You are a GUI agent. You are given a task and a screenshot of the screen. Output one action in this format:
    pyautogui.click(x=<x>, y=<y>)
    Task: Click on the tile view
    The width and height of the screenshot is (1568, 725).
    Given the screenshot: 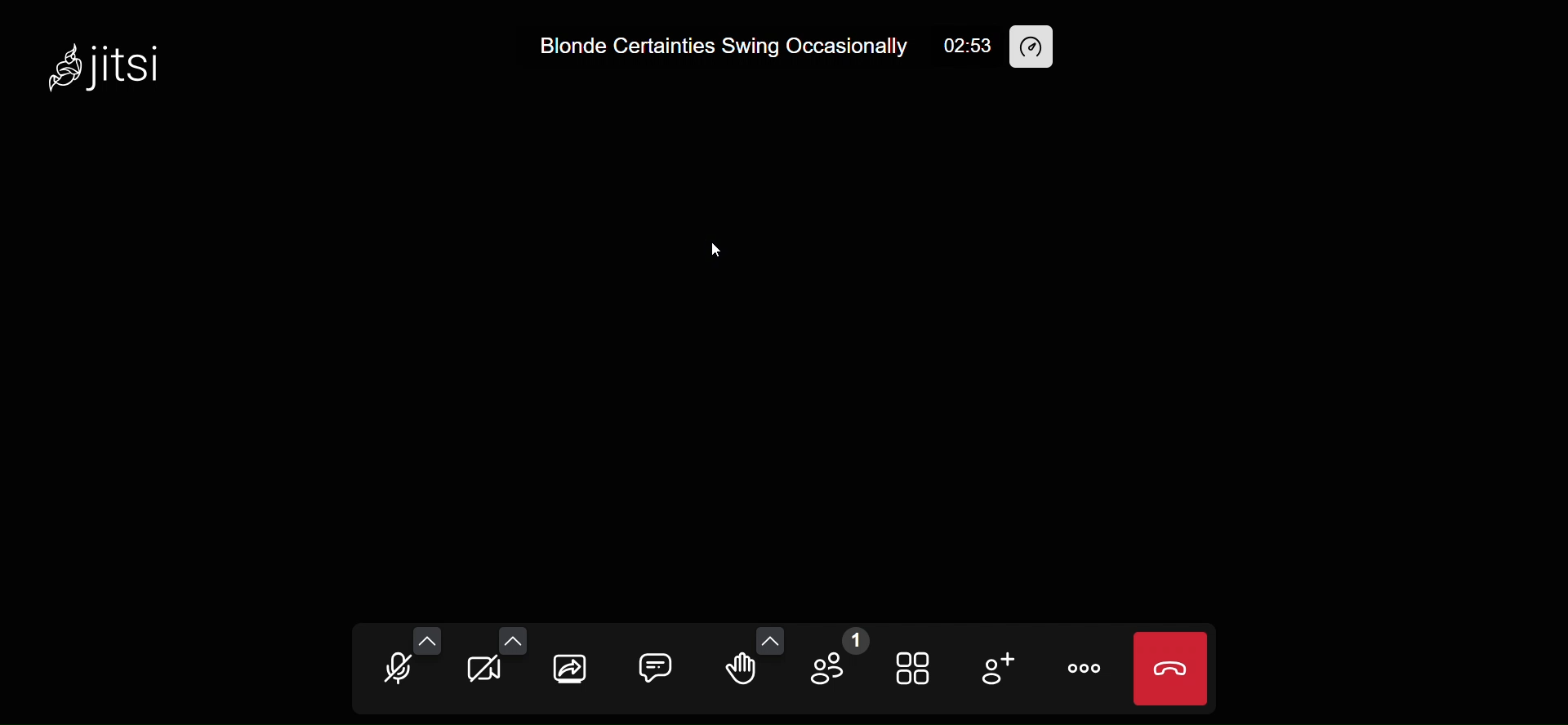 What is the action you would take?
    pyautogui.click(x=911, y=667)
    